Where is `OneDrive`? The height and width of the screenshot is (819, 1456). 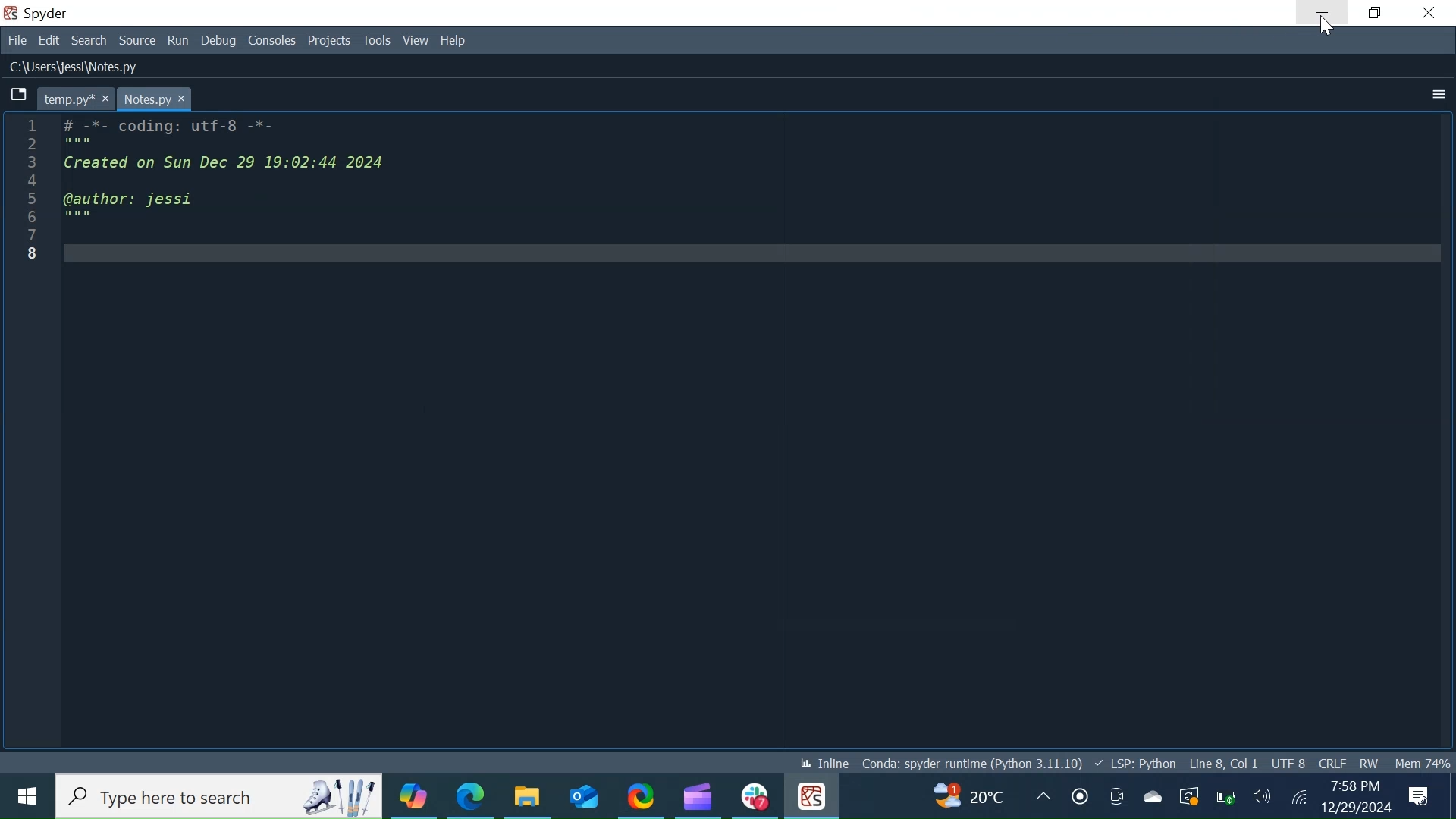
OneDrive is located at coordinates (1149, 795).